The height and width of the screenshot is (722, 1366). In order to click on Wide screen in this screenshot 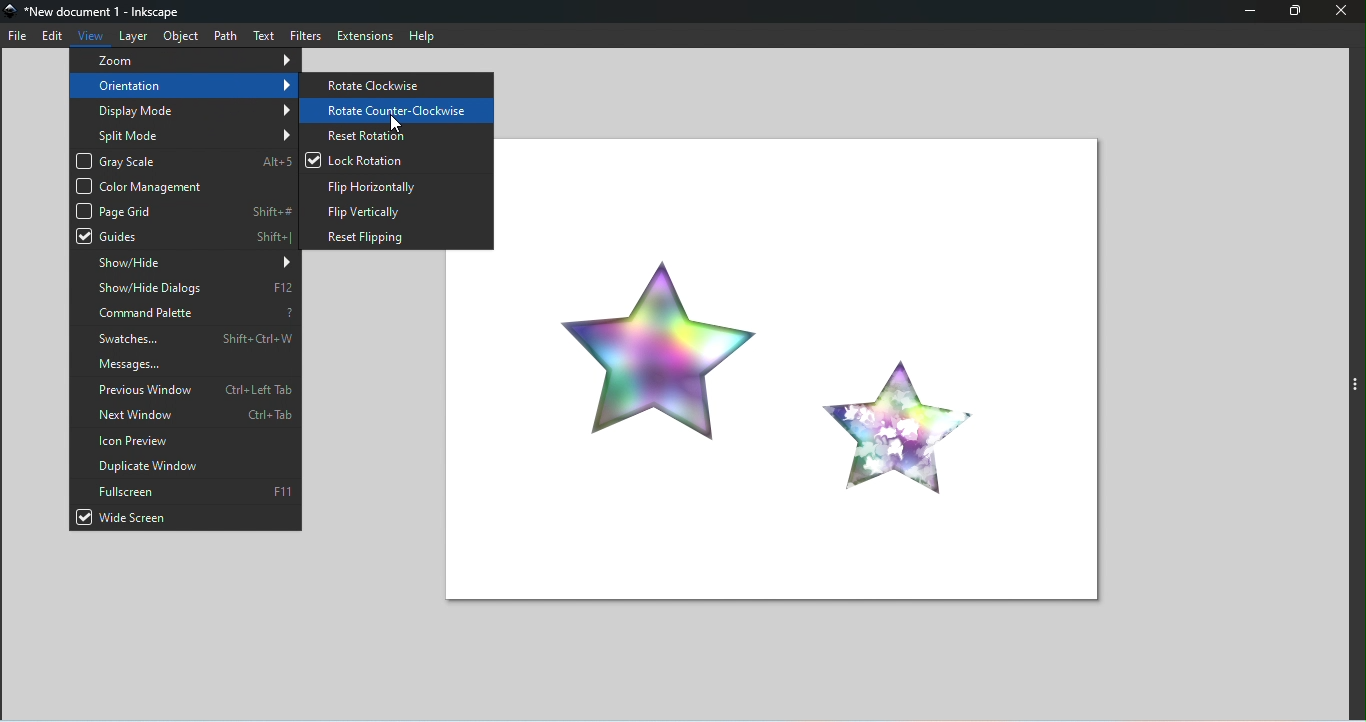, I will do `click(187, 518)`.